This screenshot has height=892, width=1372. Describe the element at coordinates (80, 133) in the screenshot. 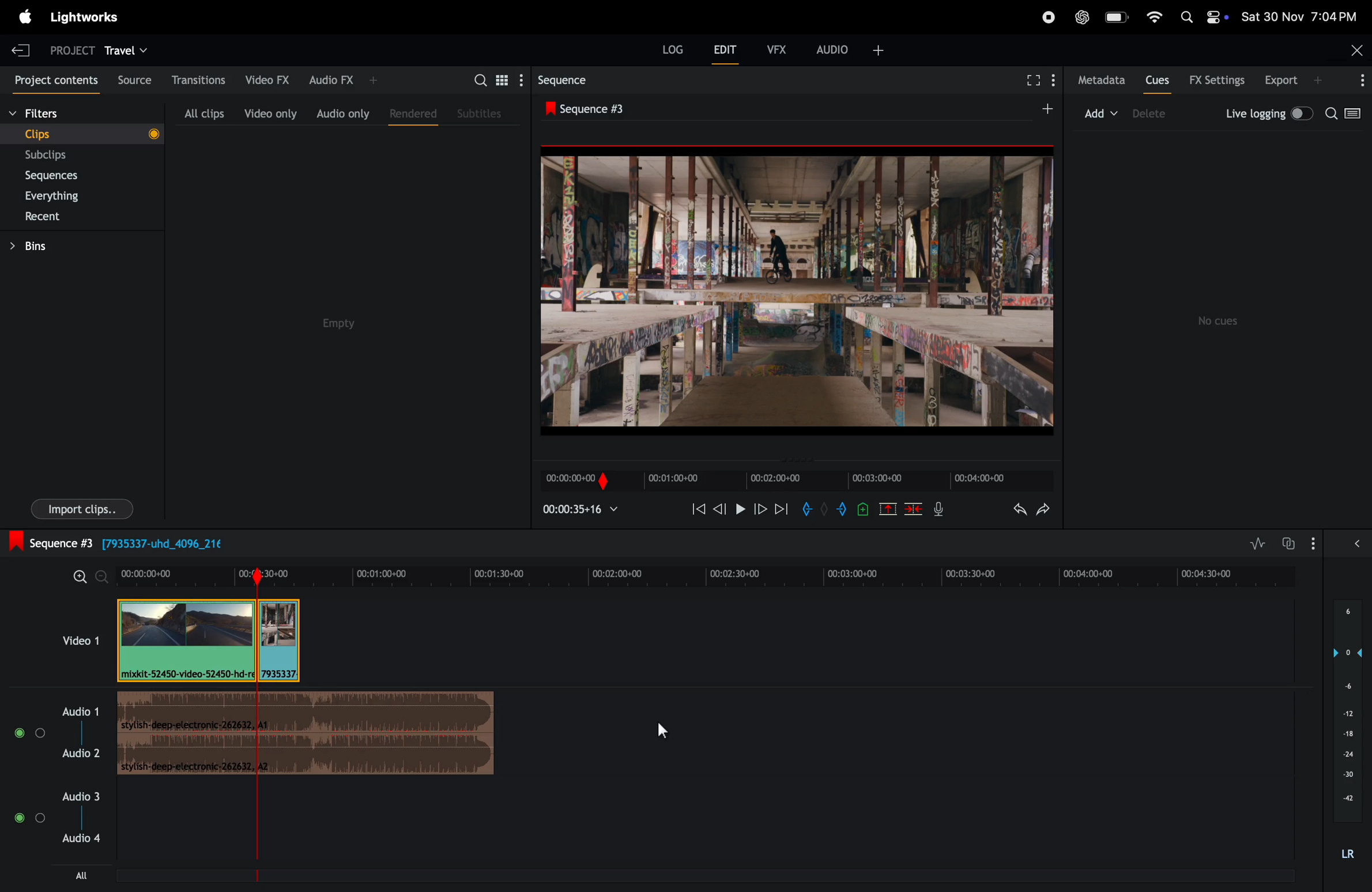

I see `clips` at that location.